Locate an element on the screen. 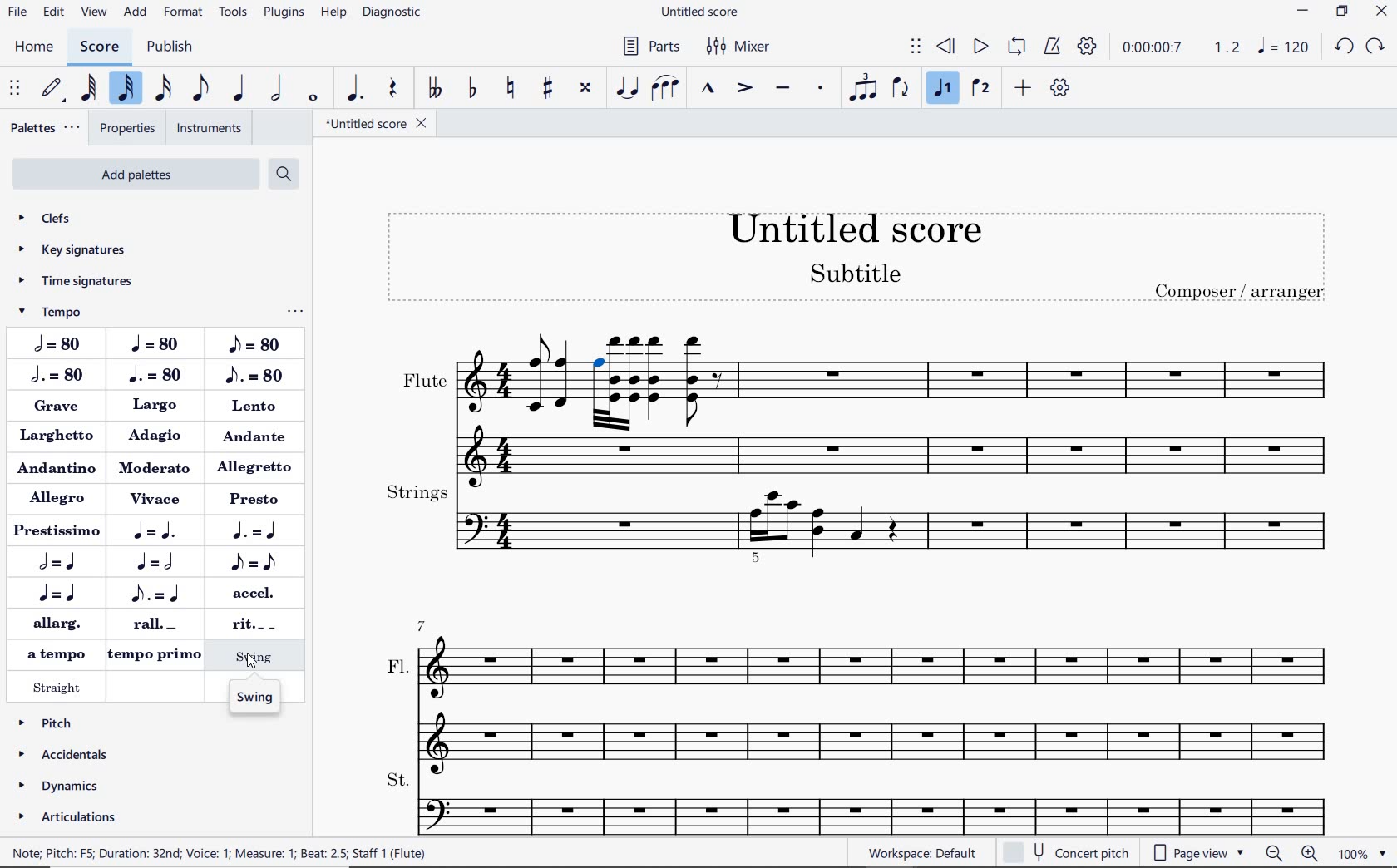  close is located at coordinates (1382, 11).